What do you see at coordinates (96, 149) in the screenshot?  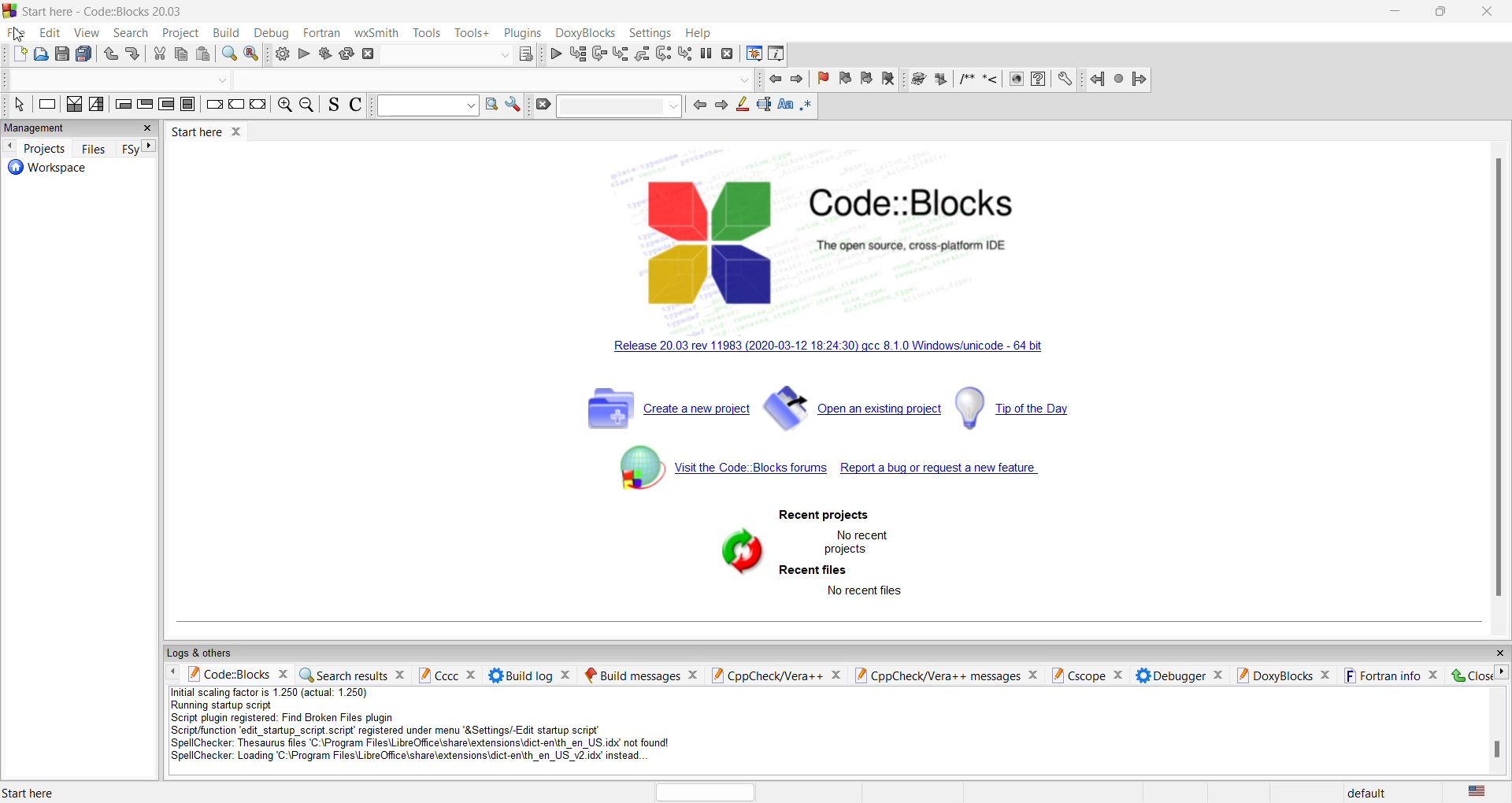 I see `files` at bounding box center [96, 149].